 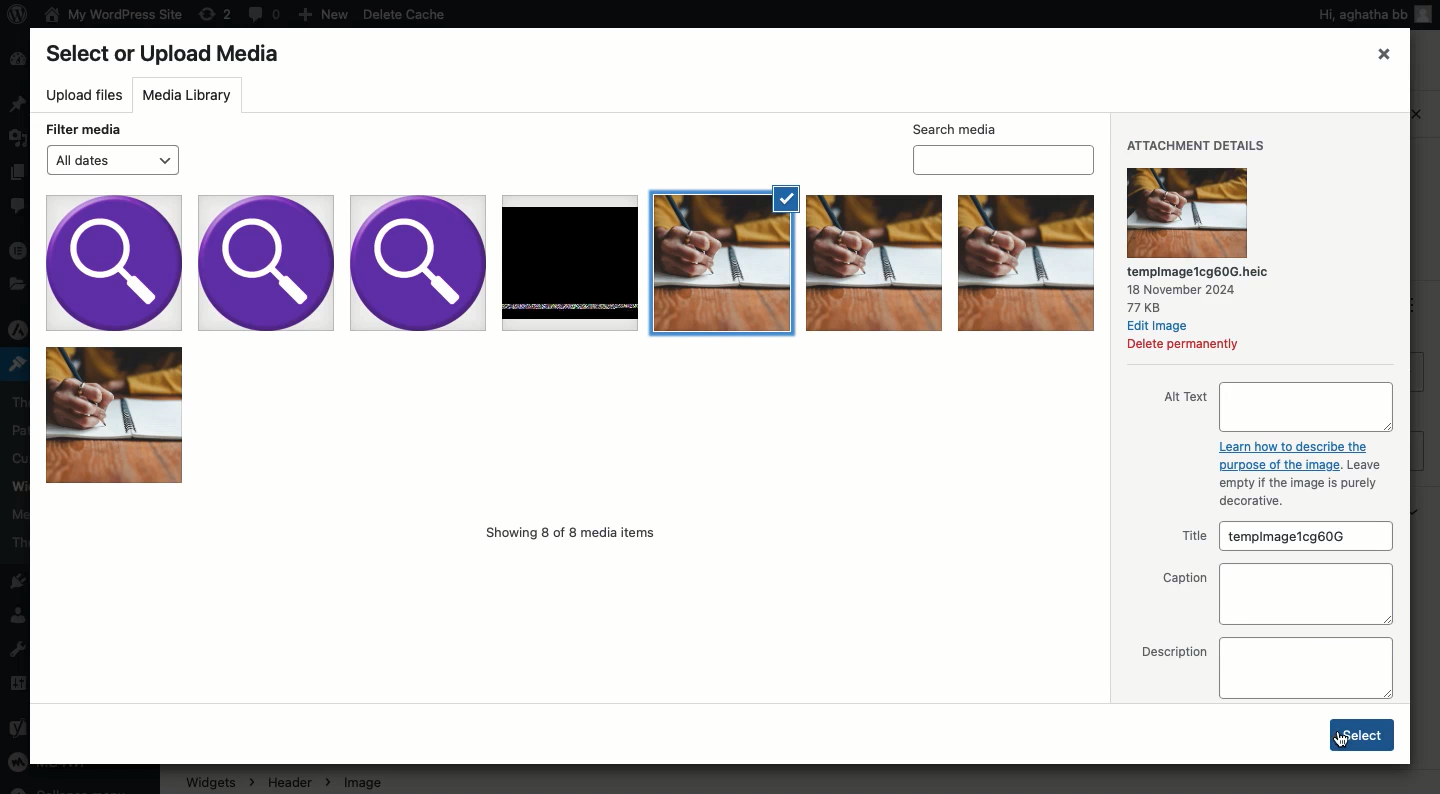 What do you see at coordinates (1283, 537) in the screenshot?
I see `Title` at bounding box center [1283, 537].